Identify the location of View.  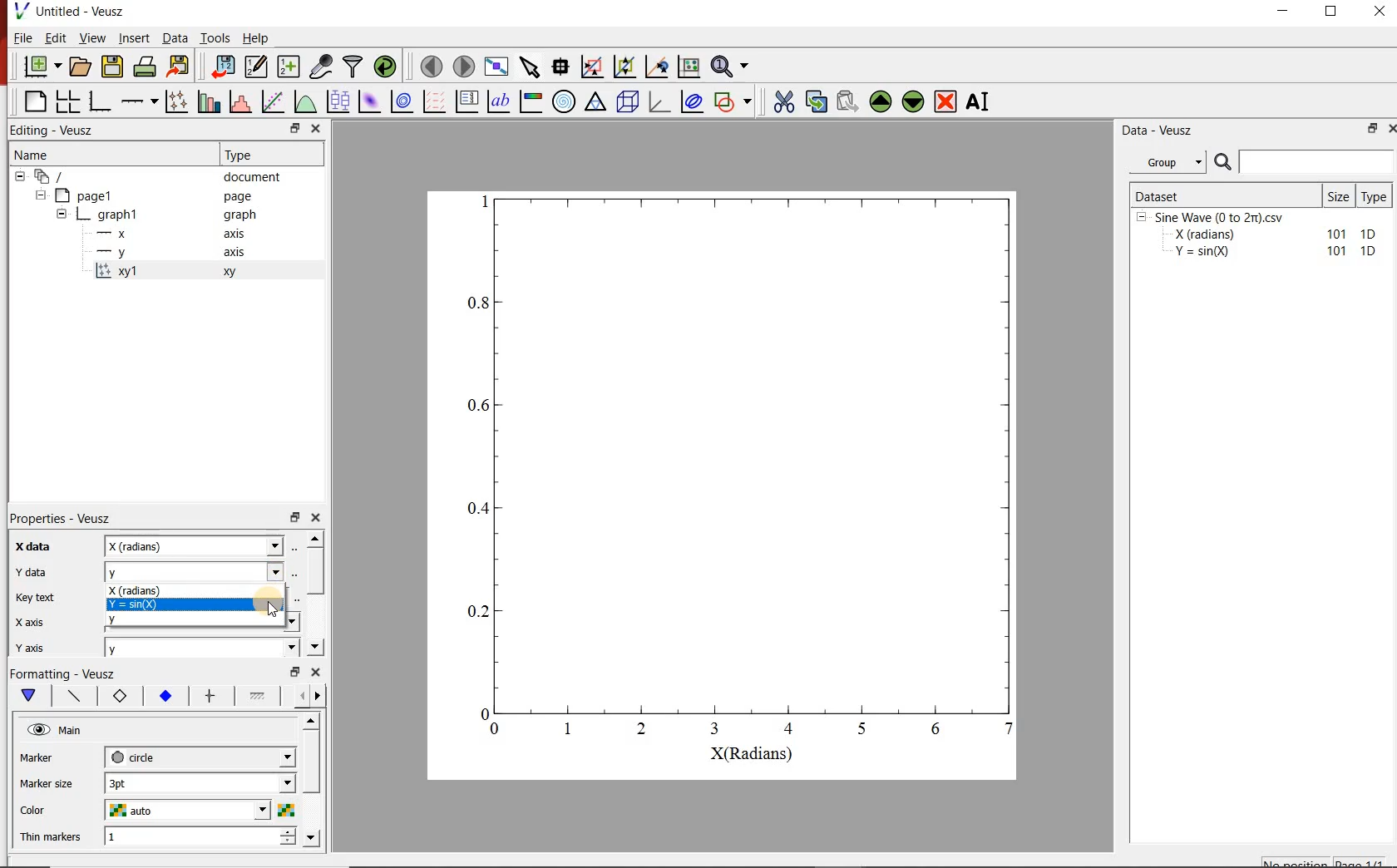
(93, 37).